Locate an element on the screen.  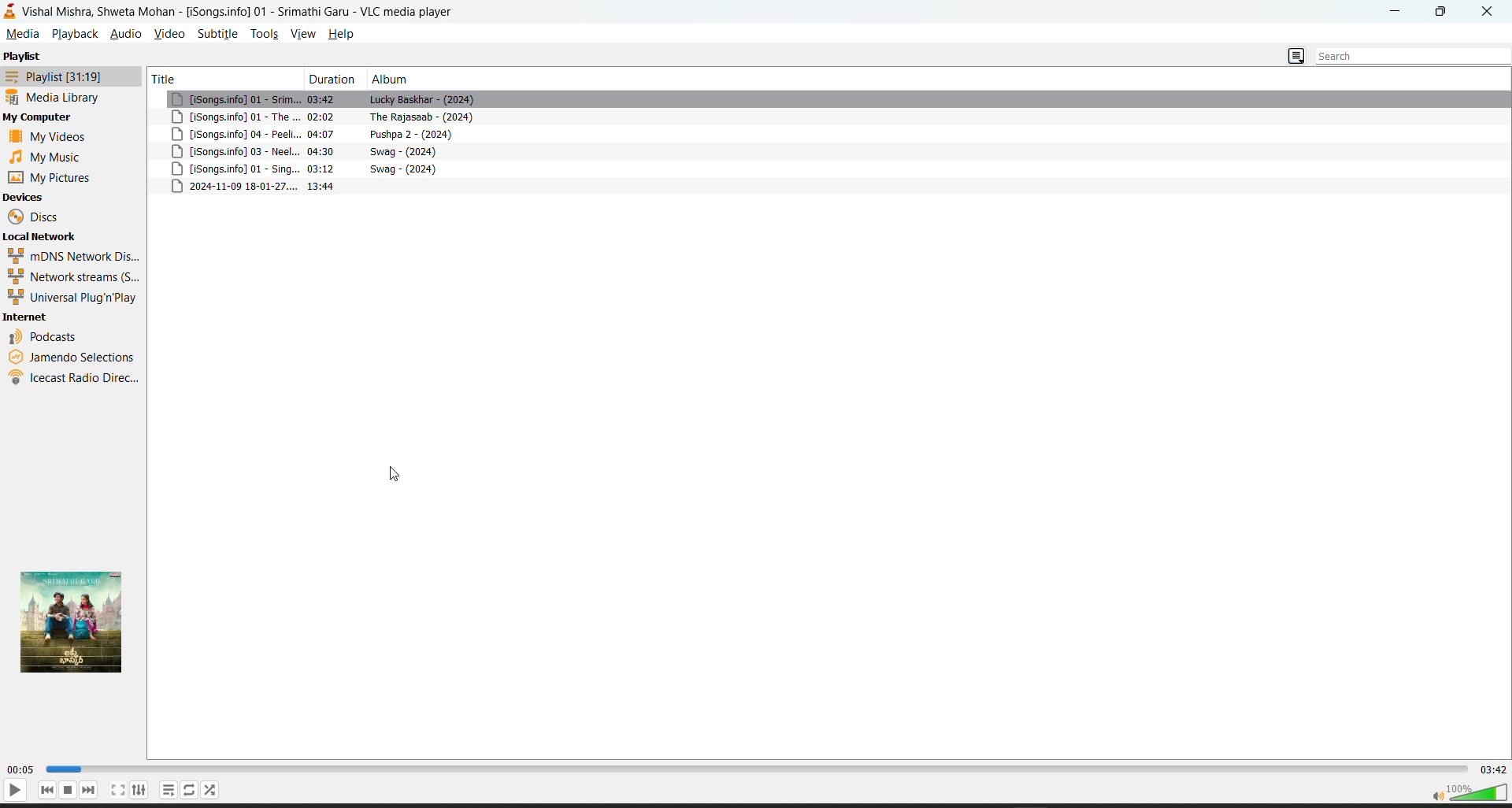
03:42 is located at coordinates (324, 98).